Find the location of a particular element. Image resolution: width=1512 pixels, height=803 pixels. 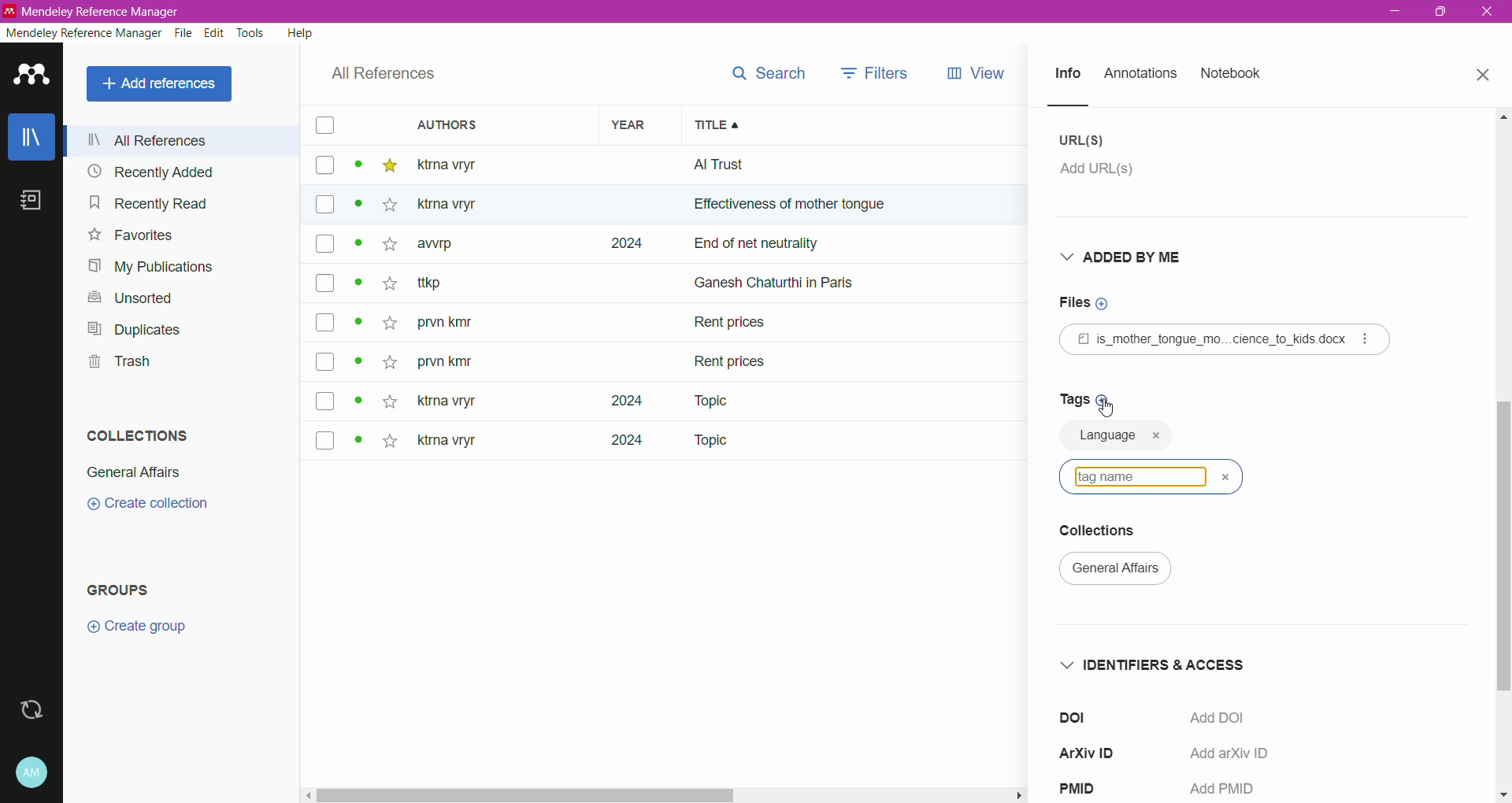

search is located at coordinates (766, 73).